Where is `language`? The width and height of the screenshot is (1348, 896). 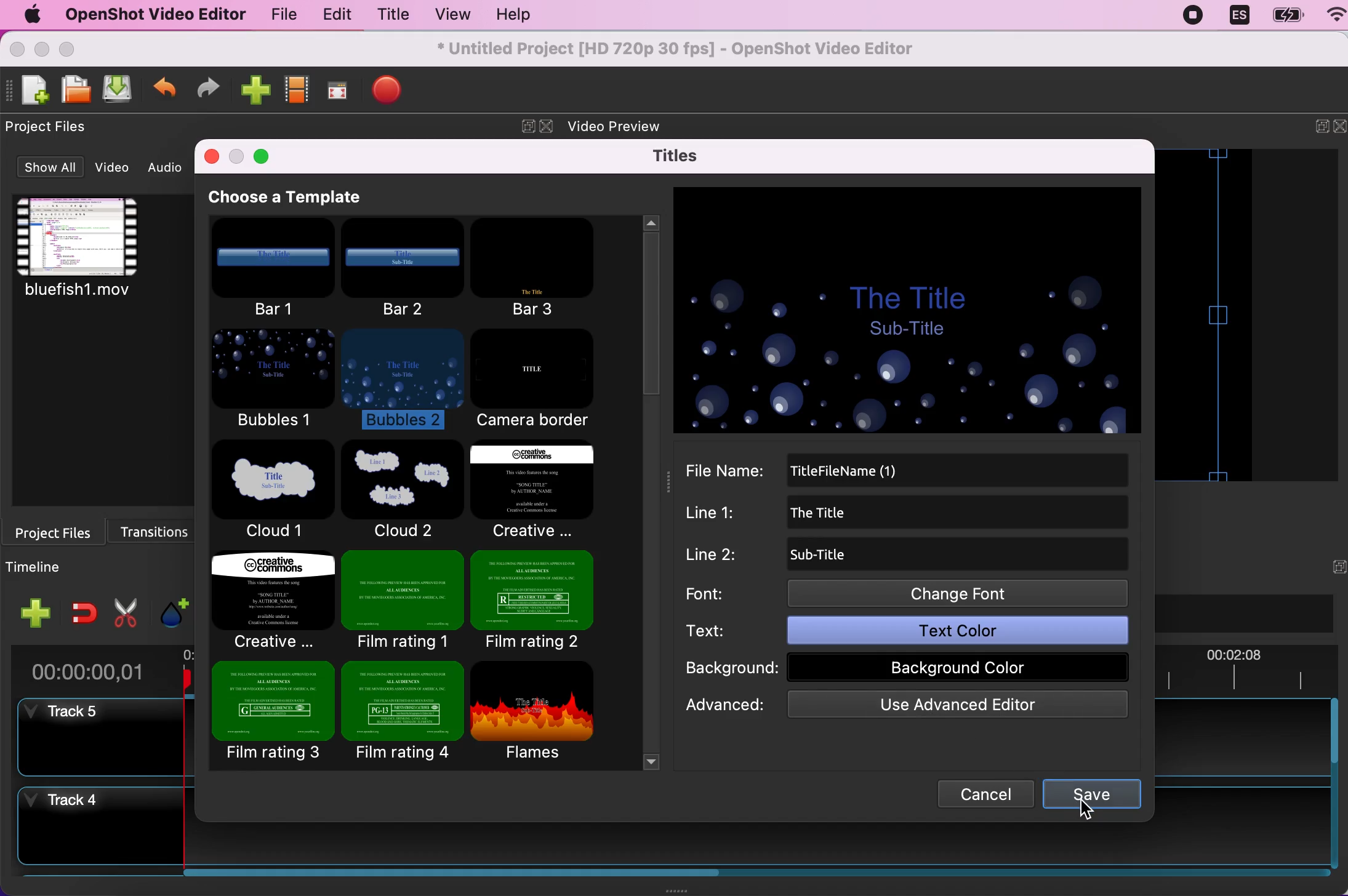
language is located at coordinates (1238, 16).